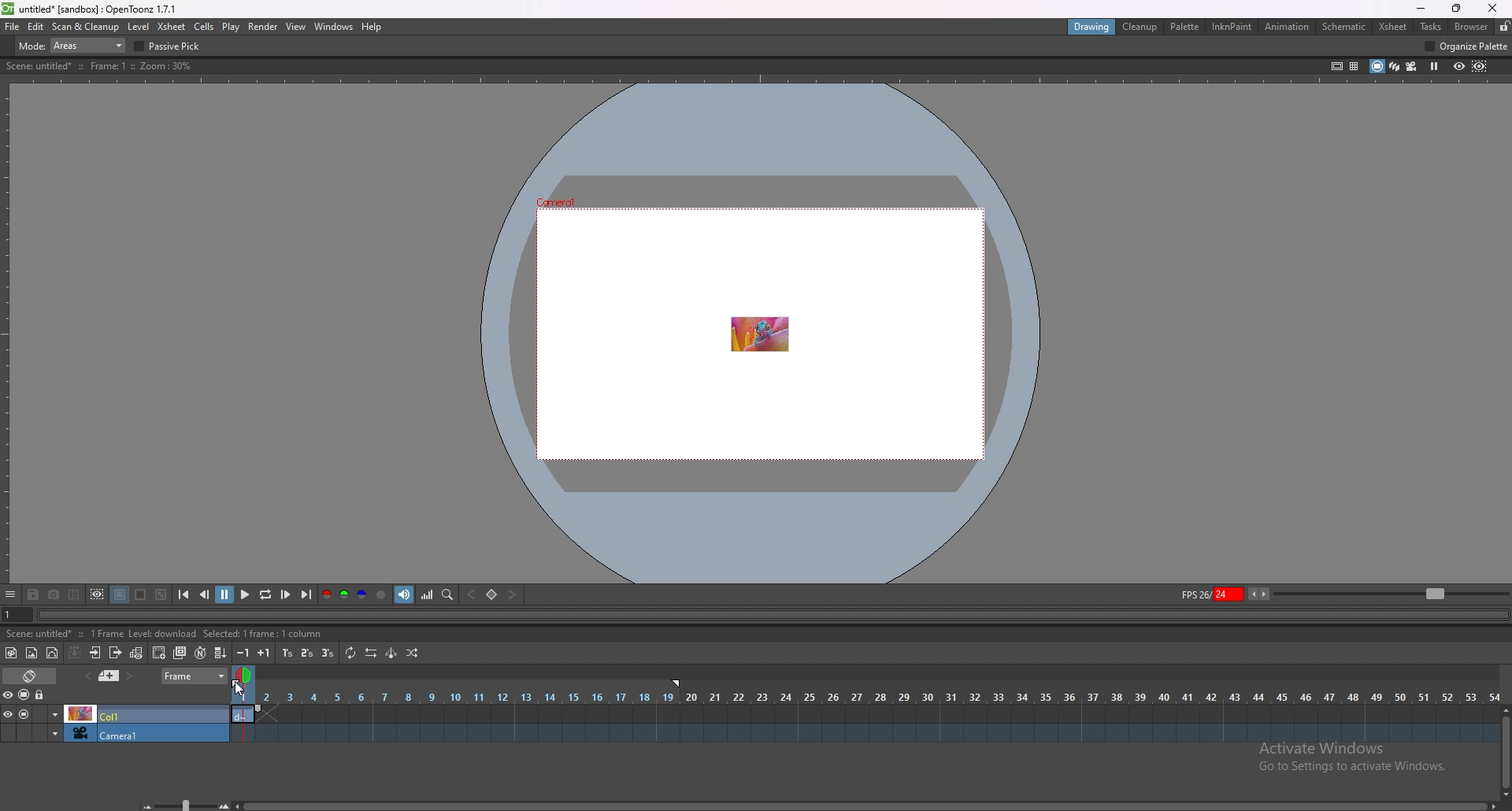  What do you see at coordinates (1459, 66) in the screenshot?
I see `preview` at bounding box center [1459, 66].